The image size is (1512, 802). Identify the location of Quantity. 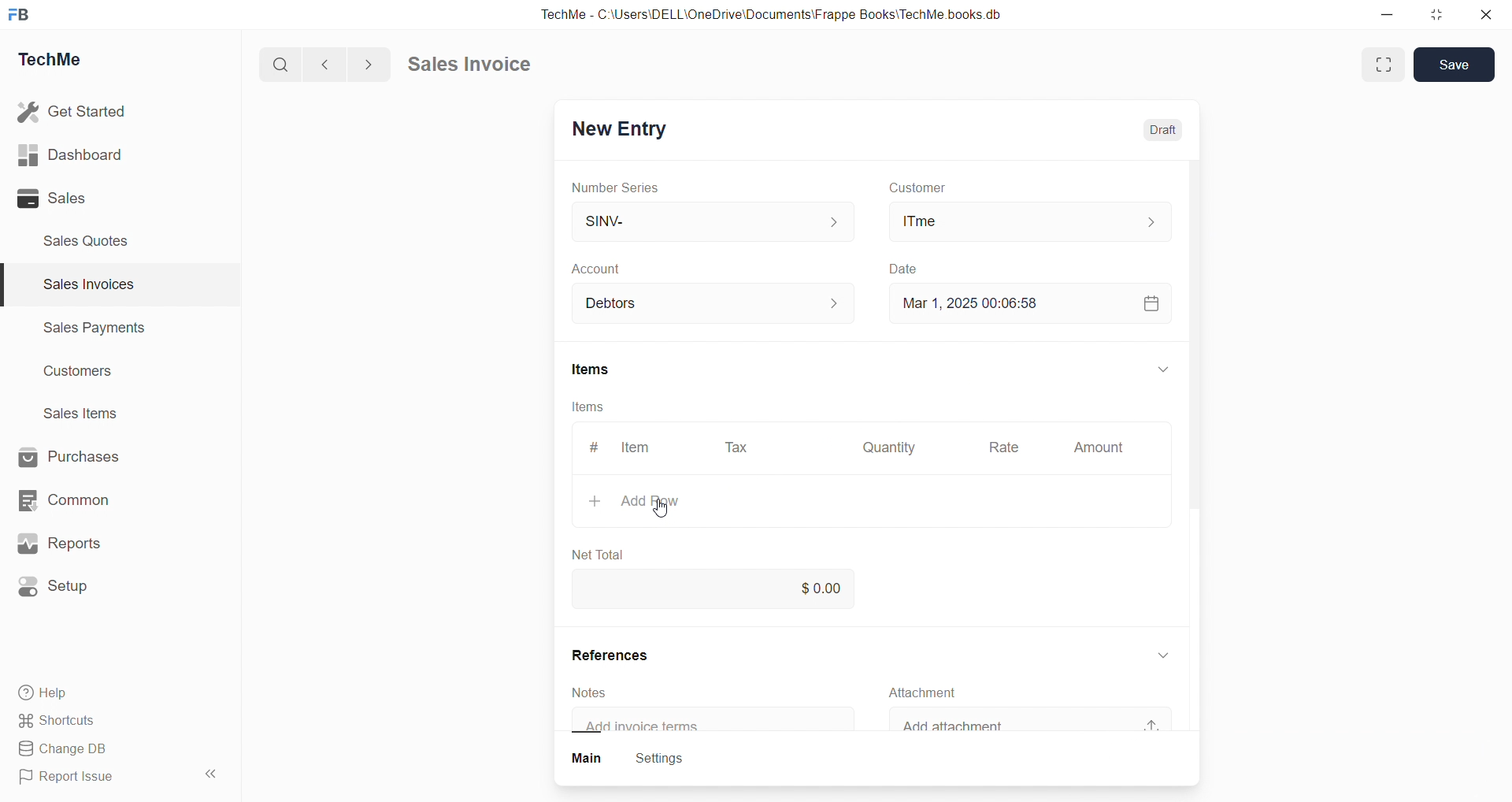
(894, 446).